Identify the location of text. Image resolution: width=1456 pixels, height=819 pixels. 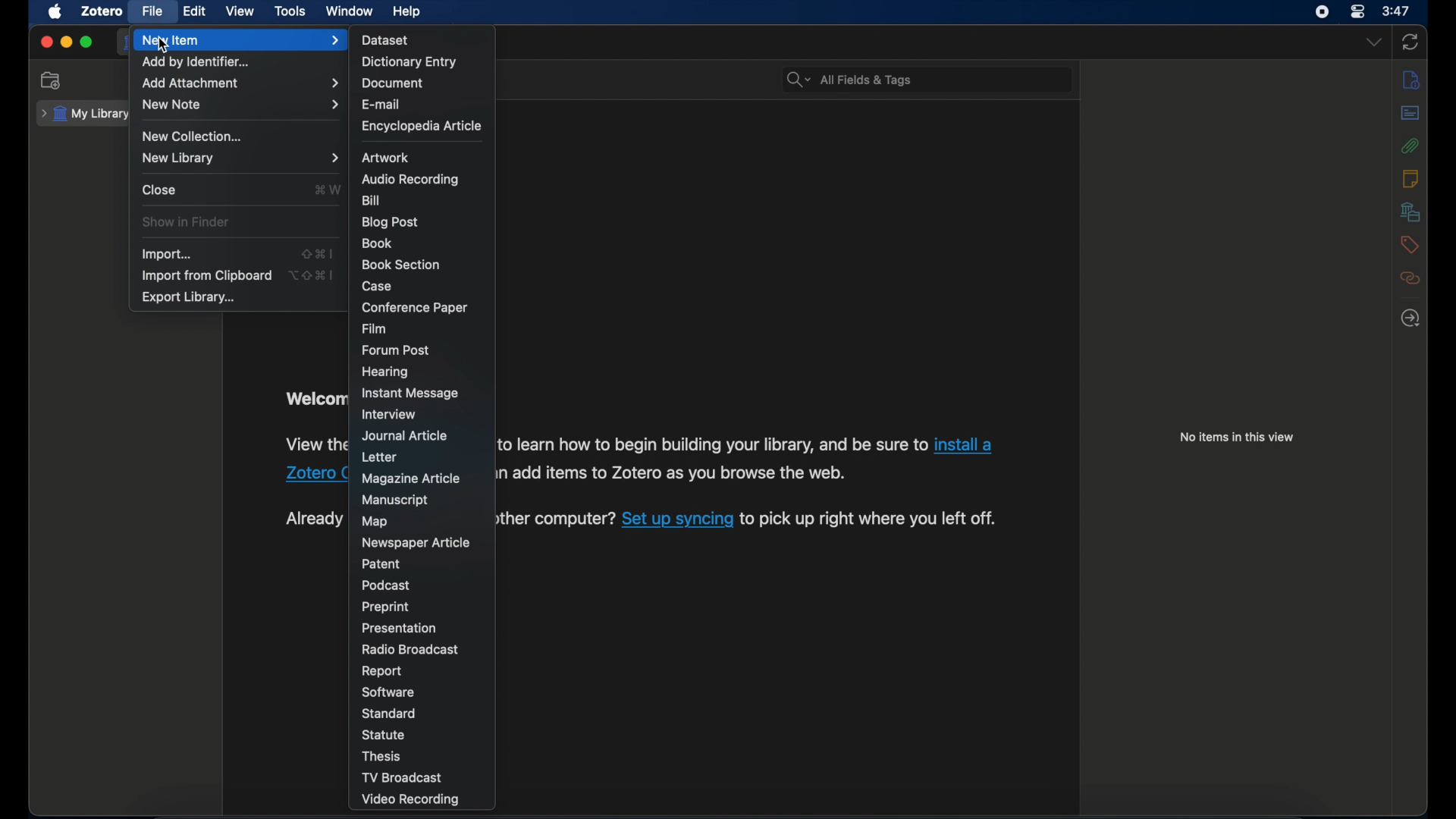
(713, 443).